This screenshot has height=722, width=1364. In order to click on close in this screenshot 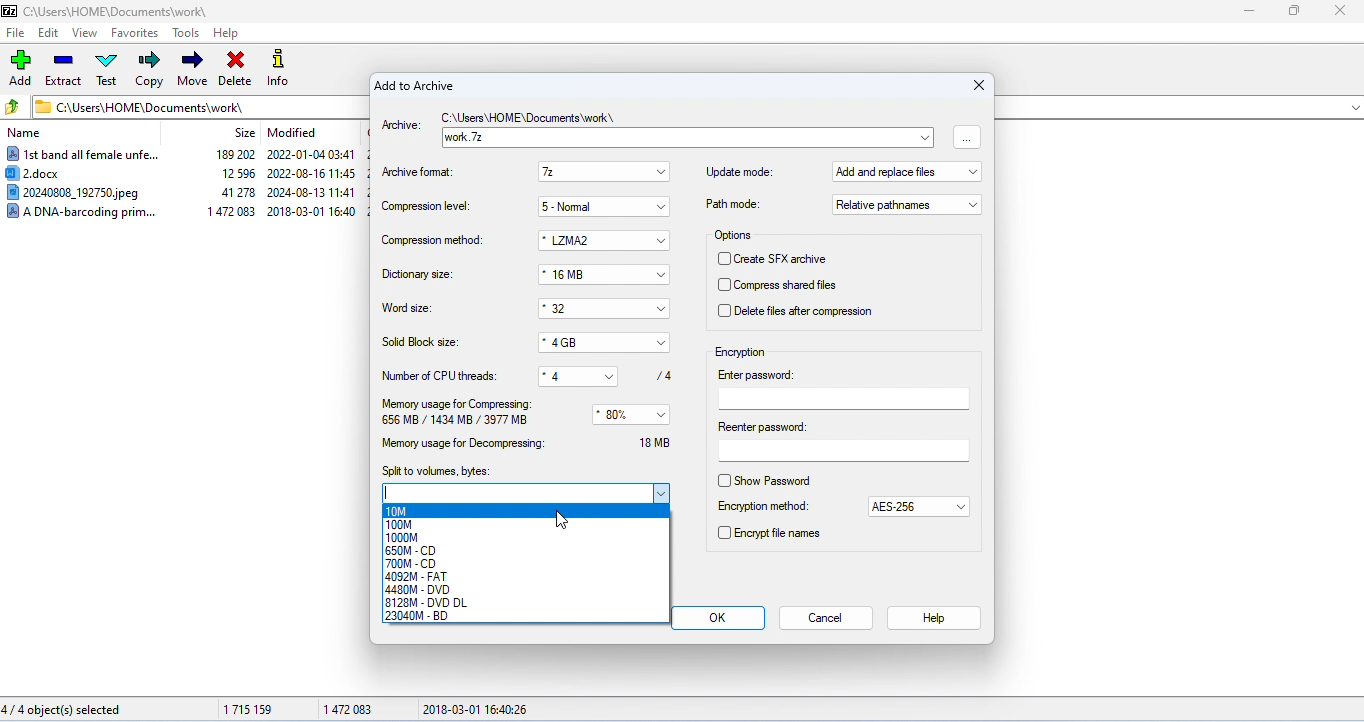, I will do `click(1338, 11)`.